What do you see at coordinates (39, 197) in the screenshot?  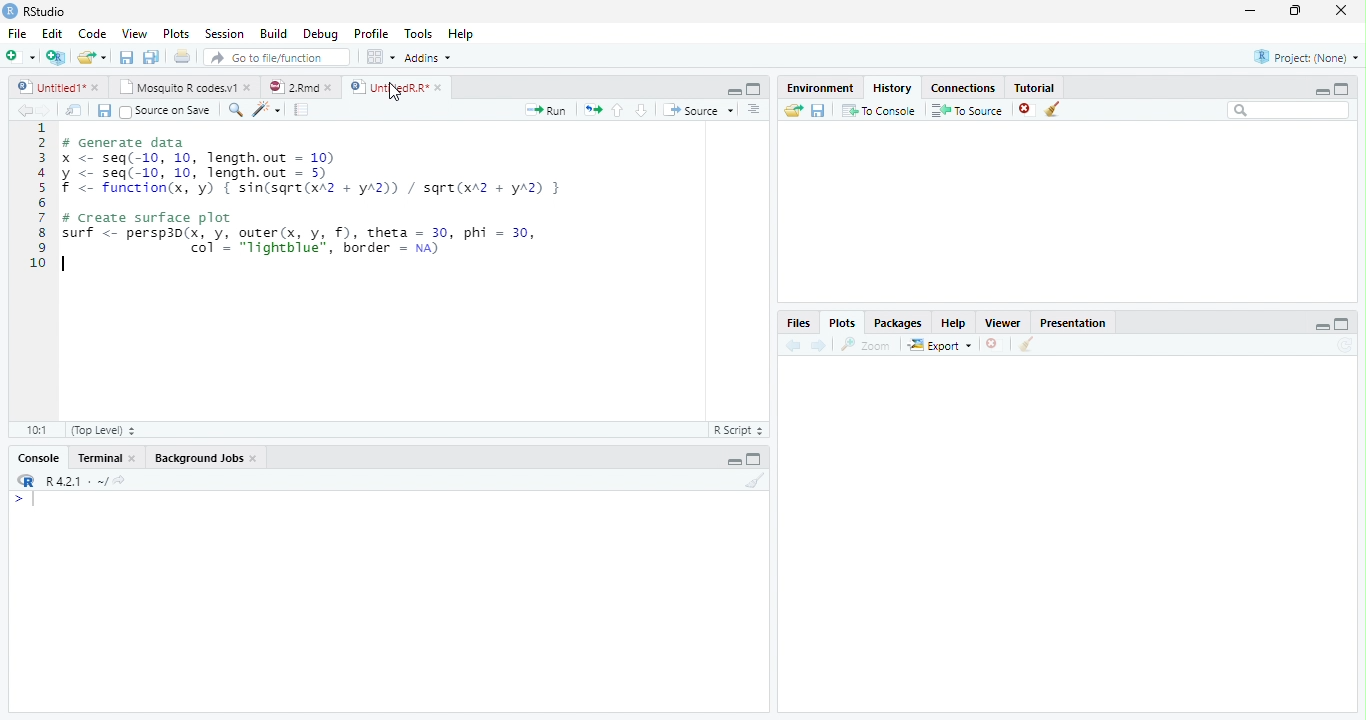 I see `Line numbers` at bounding box center [39, 197].